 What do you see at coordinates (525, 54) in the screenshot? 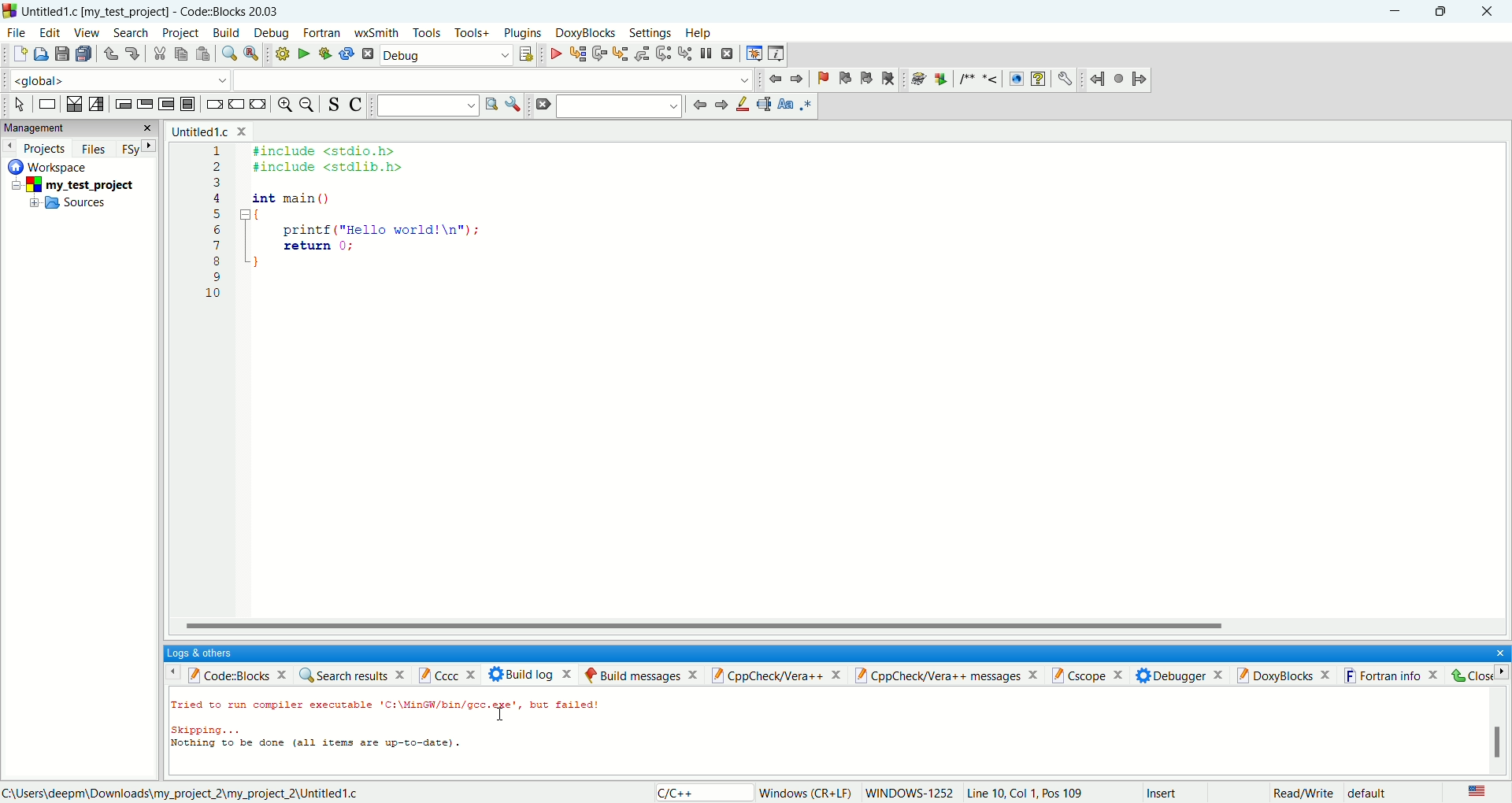
I see `elect target dialog` at bounding box center [525, 54].